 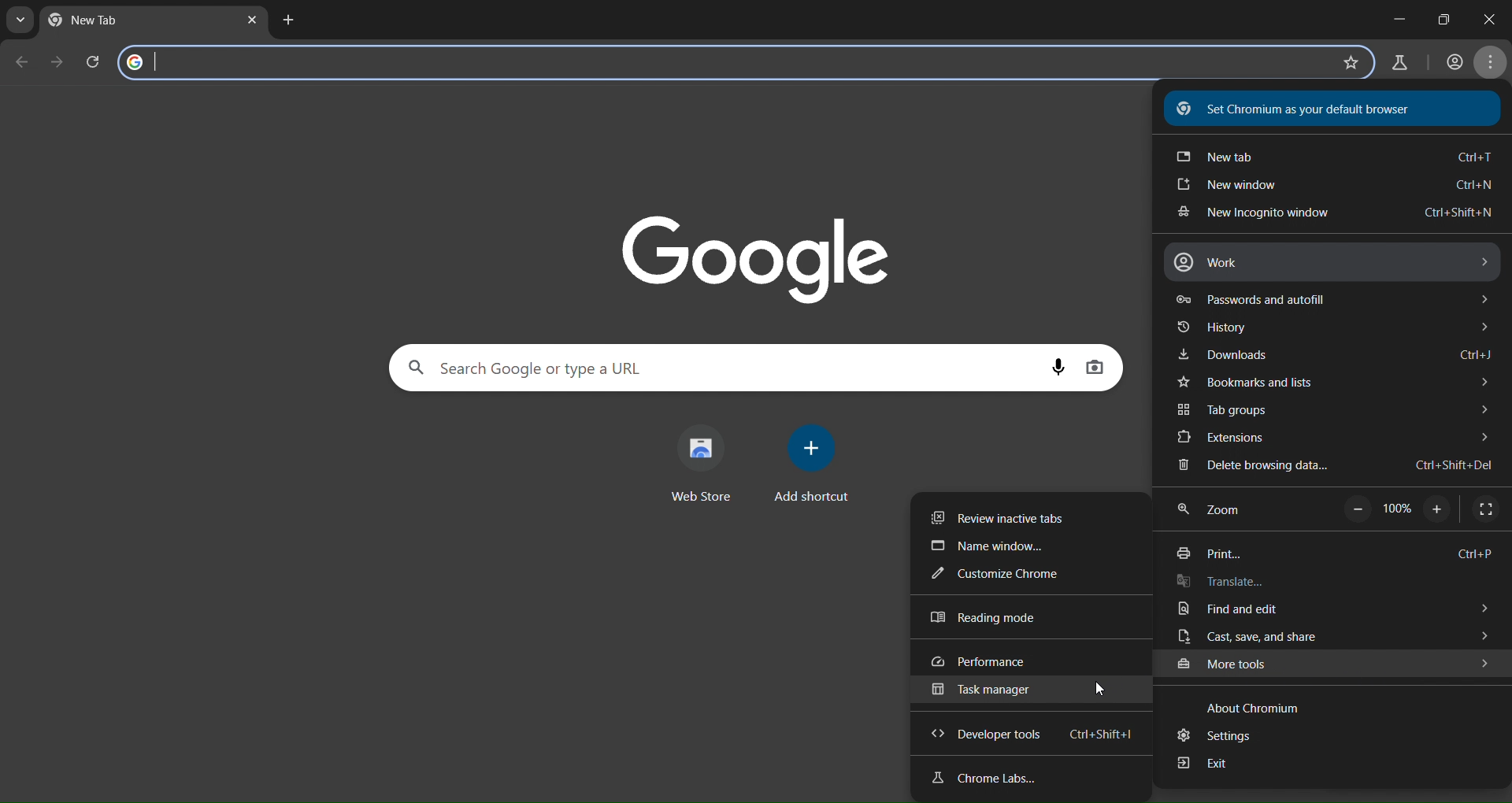 I want to click on go forward one page, so click(x=57, y=63).